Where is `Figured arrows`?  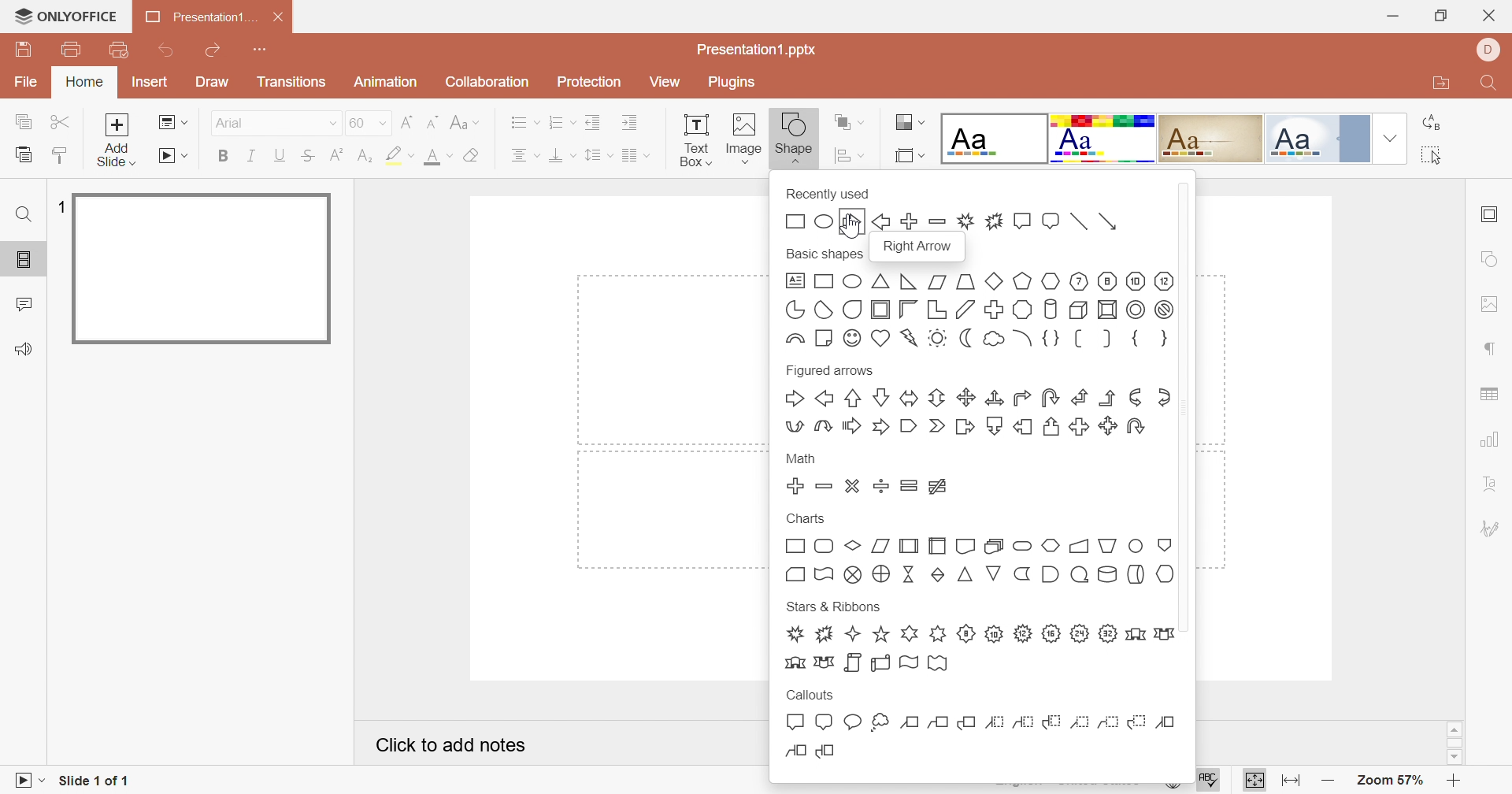 Figured arrows is located at coordinates (831, 372).